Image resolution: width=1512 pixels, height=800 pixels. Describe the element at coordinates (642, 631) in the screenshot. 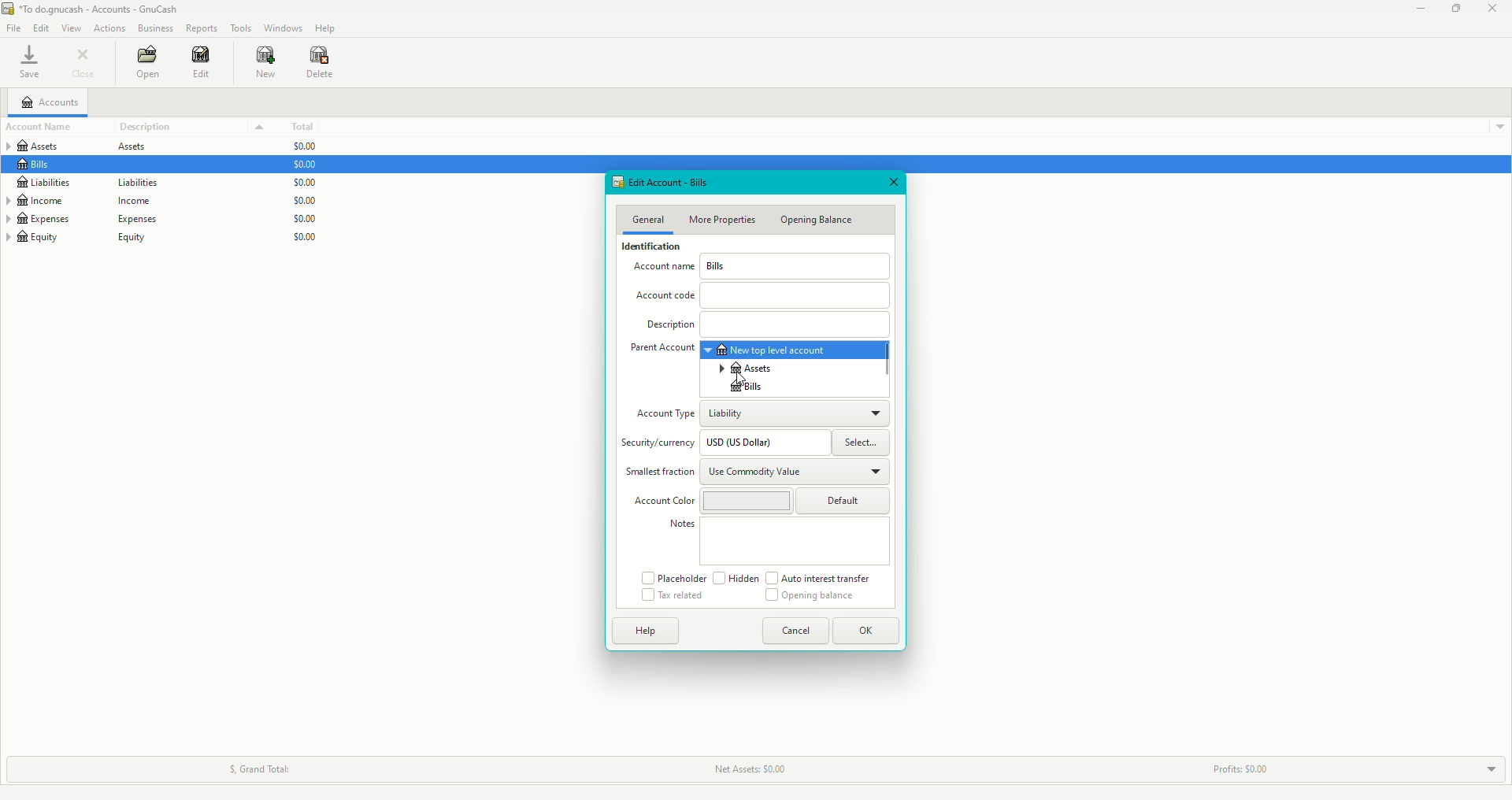

I see `Help` at that location.